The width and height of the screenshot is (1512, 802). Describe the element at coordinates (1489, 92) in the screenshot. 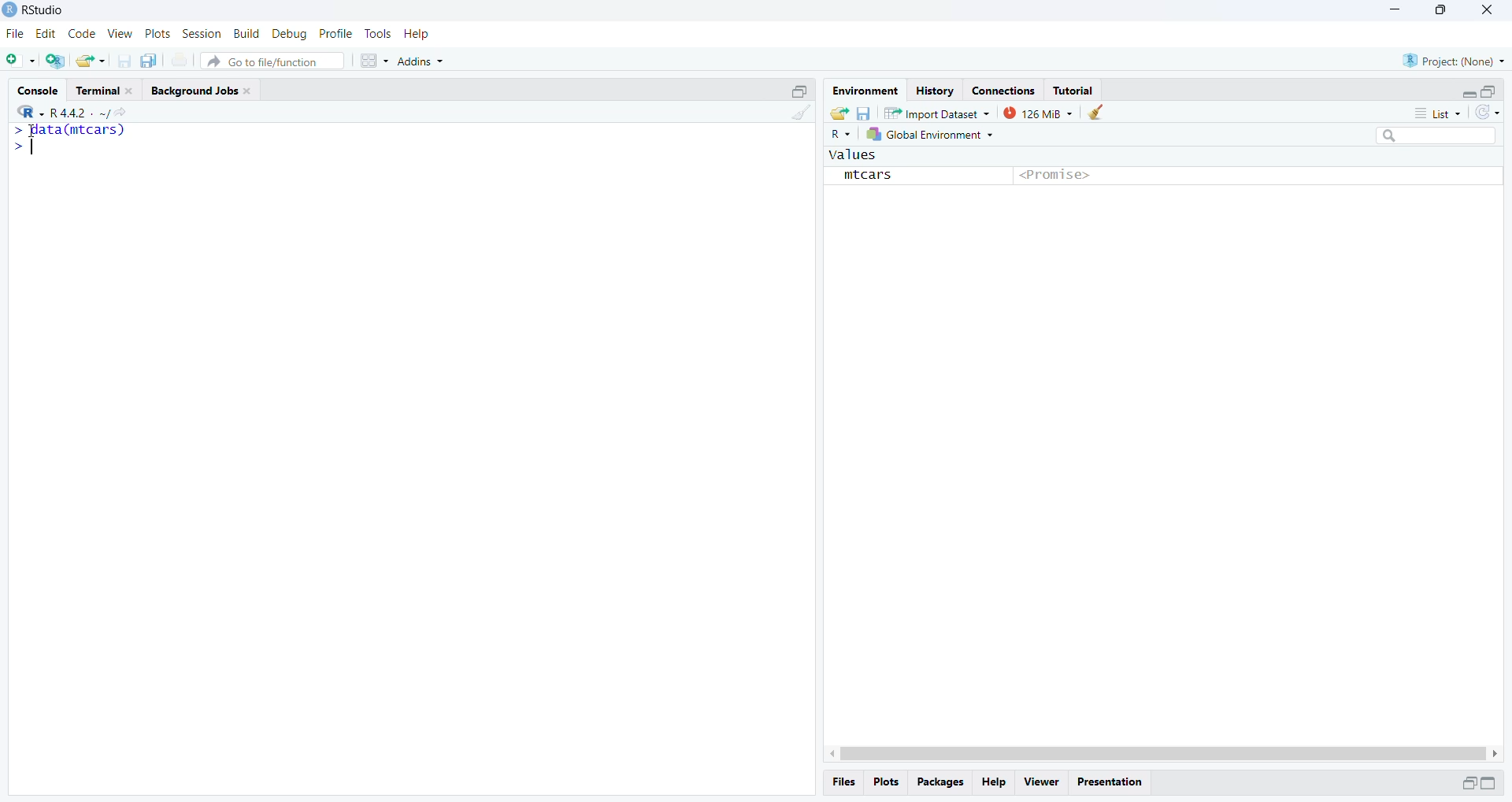

I see `maximize` at that location.